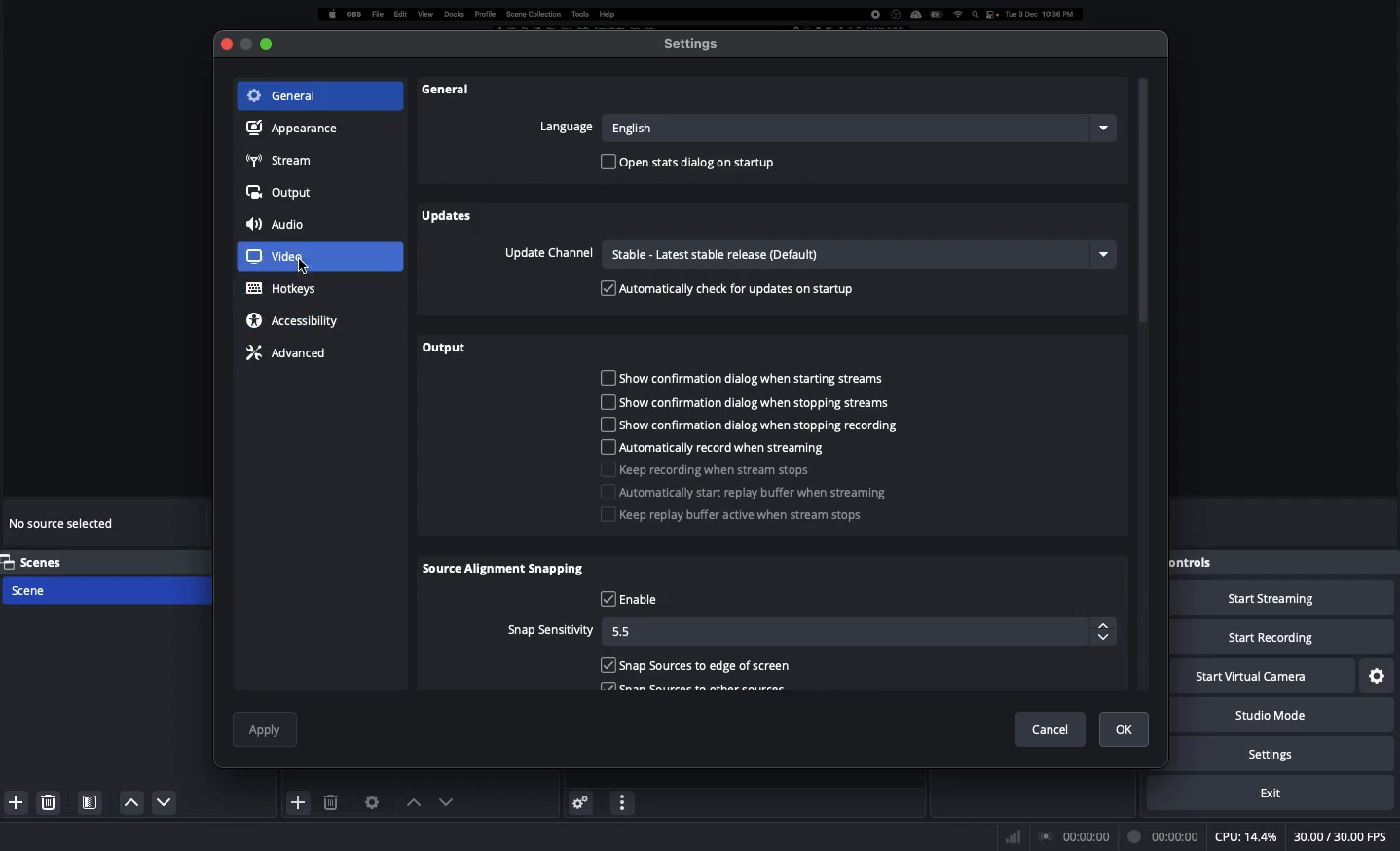 Image resolution: width=1400 pixels, height=851 pixels. I want to click on Record when streaming, so click(717, 448).